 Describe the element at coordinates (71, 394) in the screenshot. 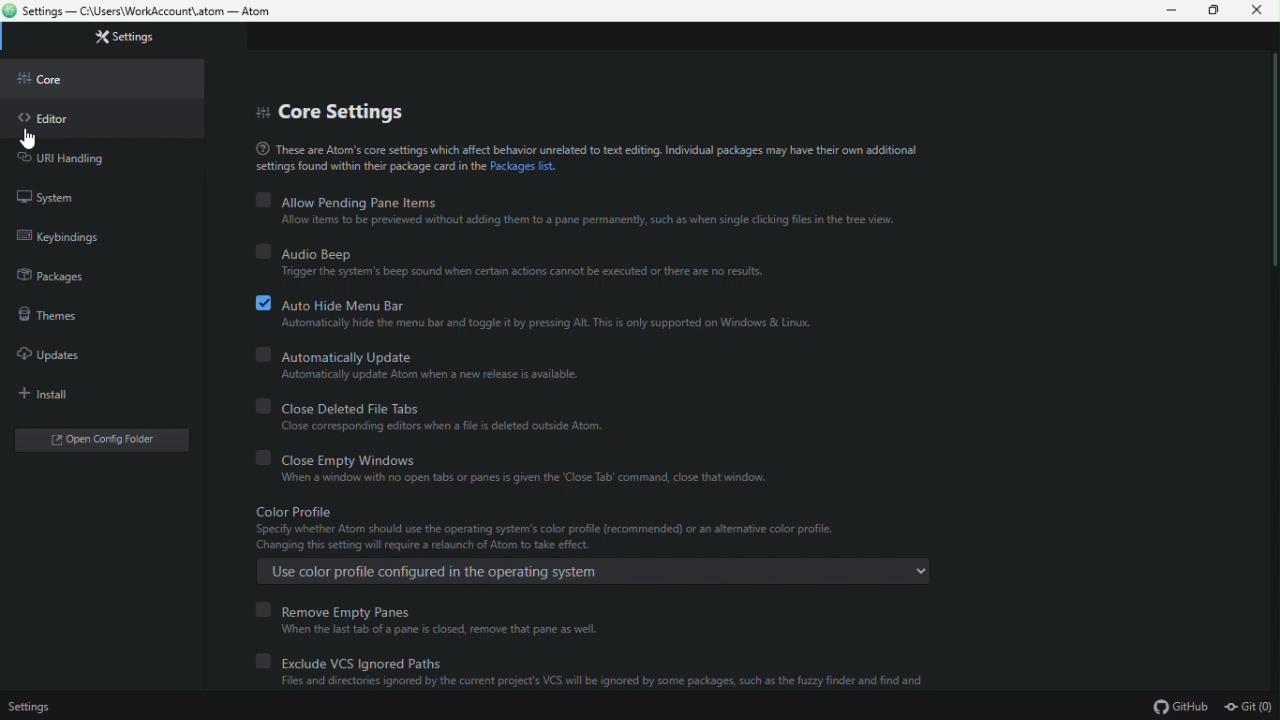

I see `Install` at that location.